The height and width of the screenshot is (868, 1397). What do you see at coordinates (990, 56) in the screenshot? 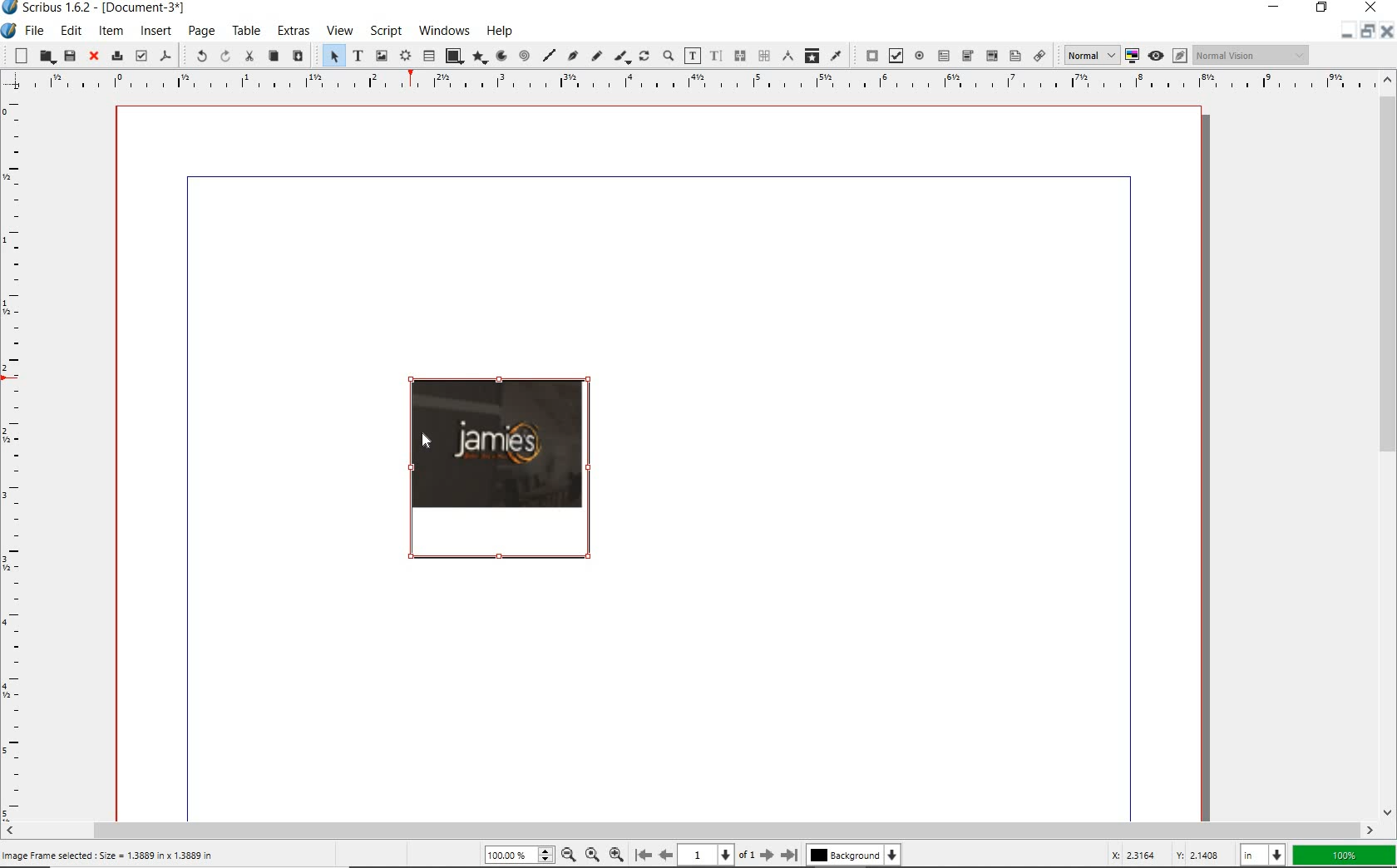
I see `pdf combo box` at bounding box center [990, 56].